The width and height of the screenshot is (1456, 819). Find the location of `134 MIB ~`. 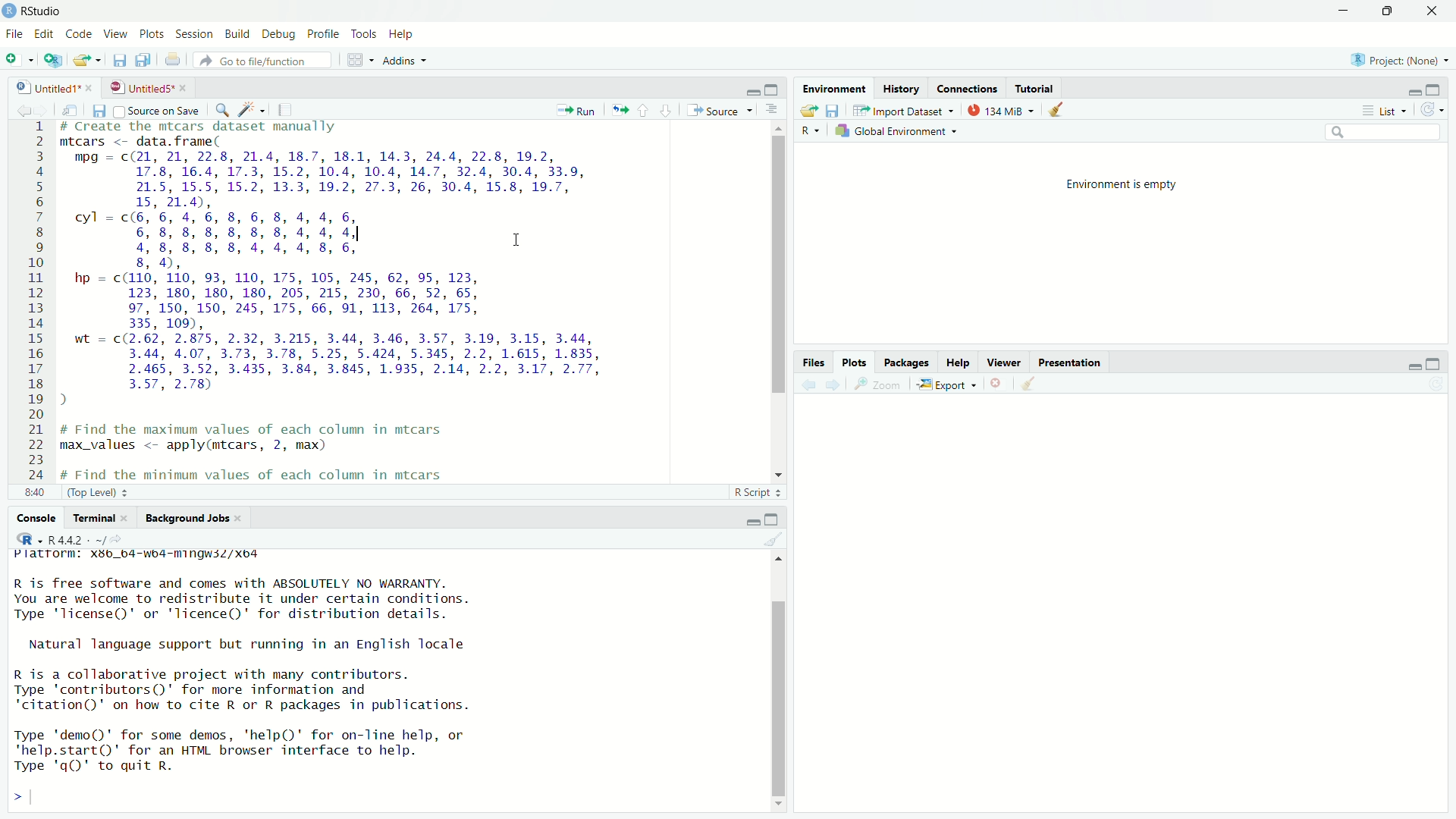

134 MIB ~ is located at coordinates (999, 111).